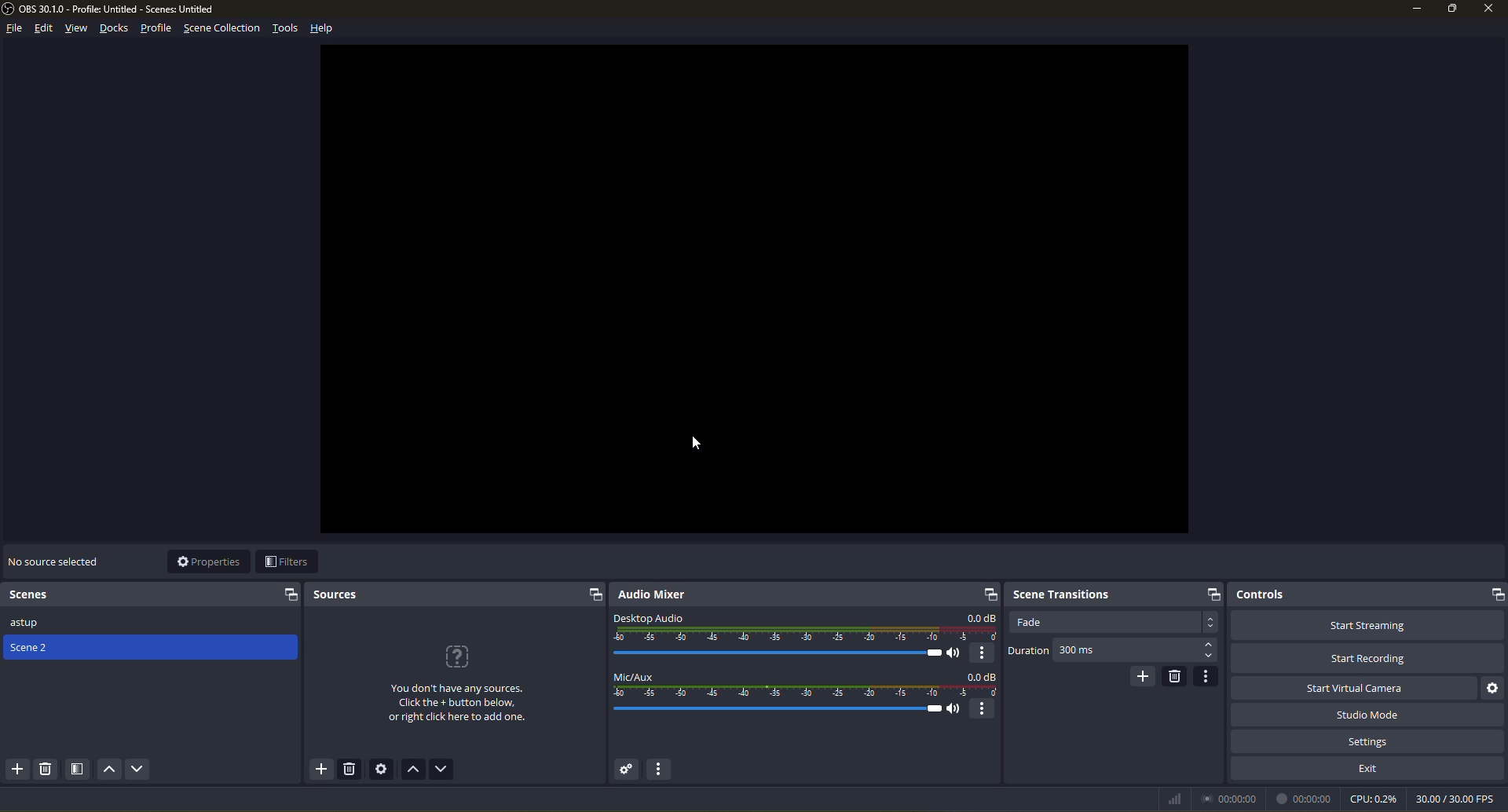 The image size is (1508, 812). What do you see at coordinates (1370, 768) in the screenshot?
I see `exit` at bounding box center [1370, 768].